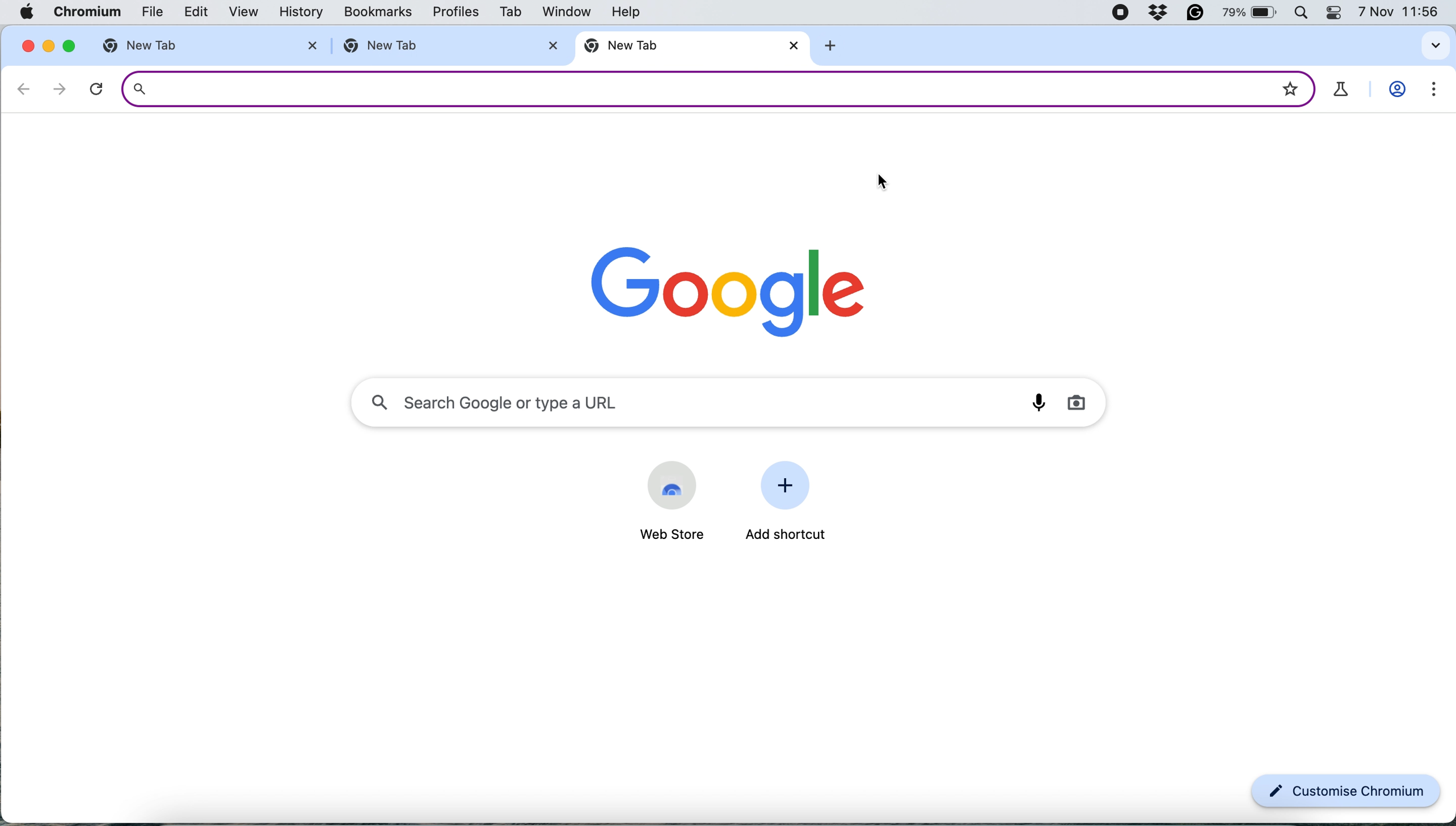  Describe the element at coordinates (96, 89) in the screenshot. I see `refresh` at that location.